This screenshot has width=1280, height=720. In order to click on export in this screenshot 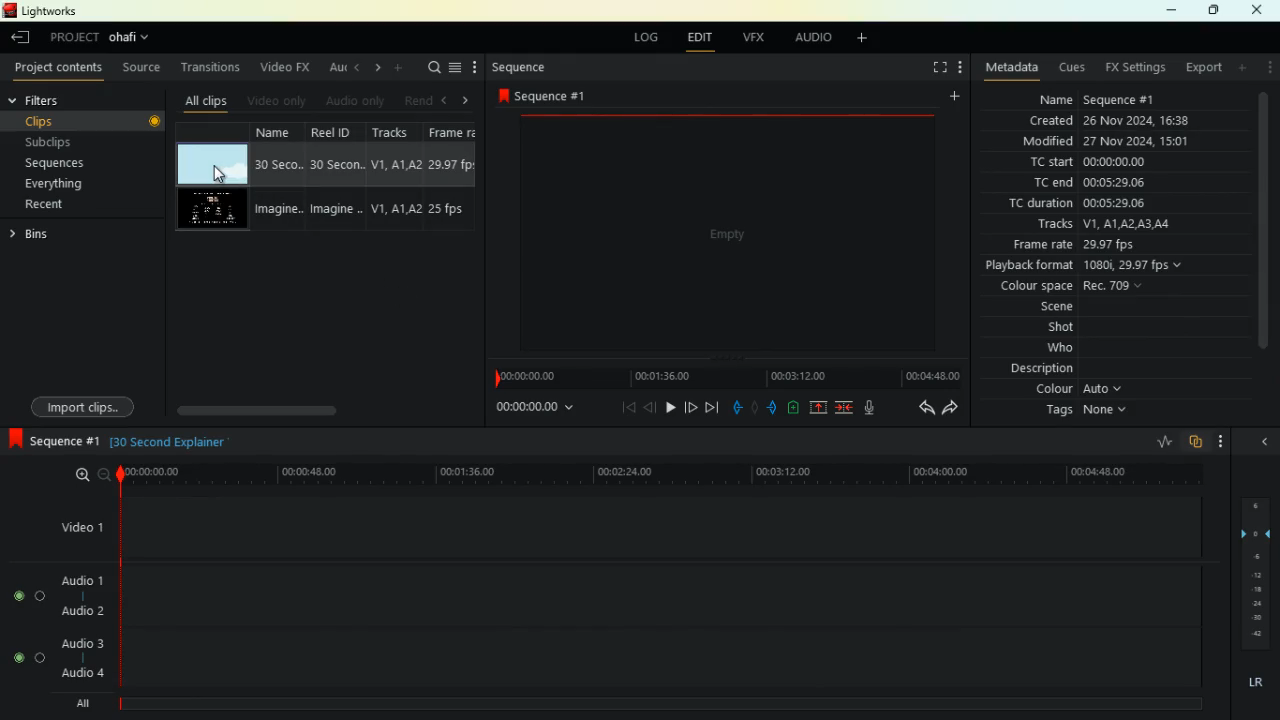, I will do `click(1201, 70)`.